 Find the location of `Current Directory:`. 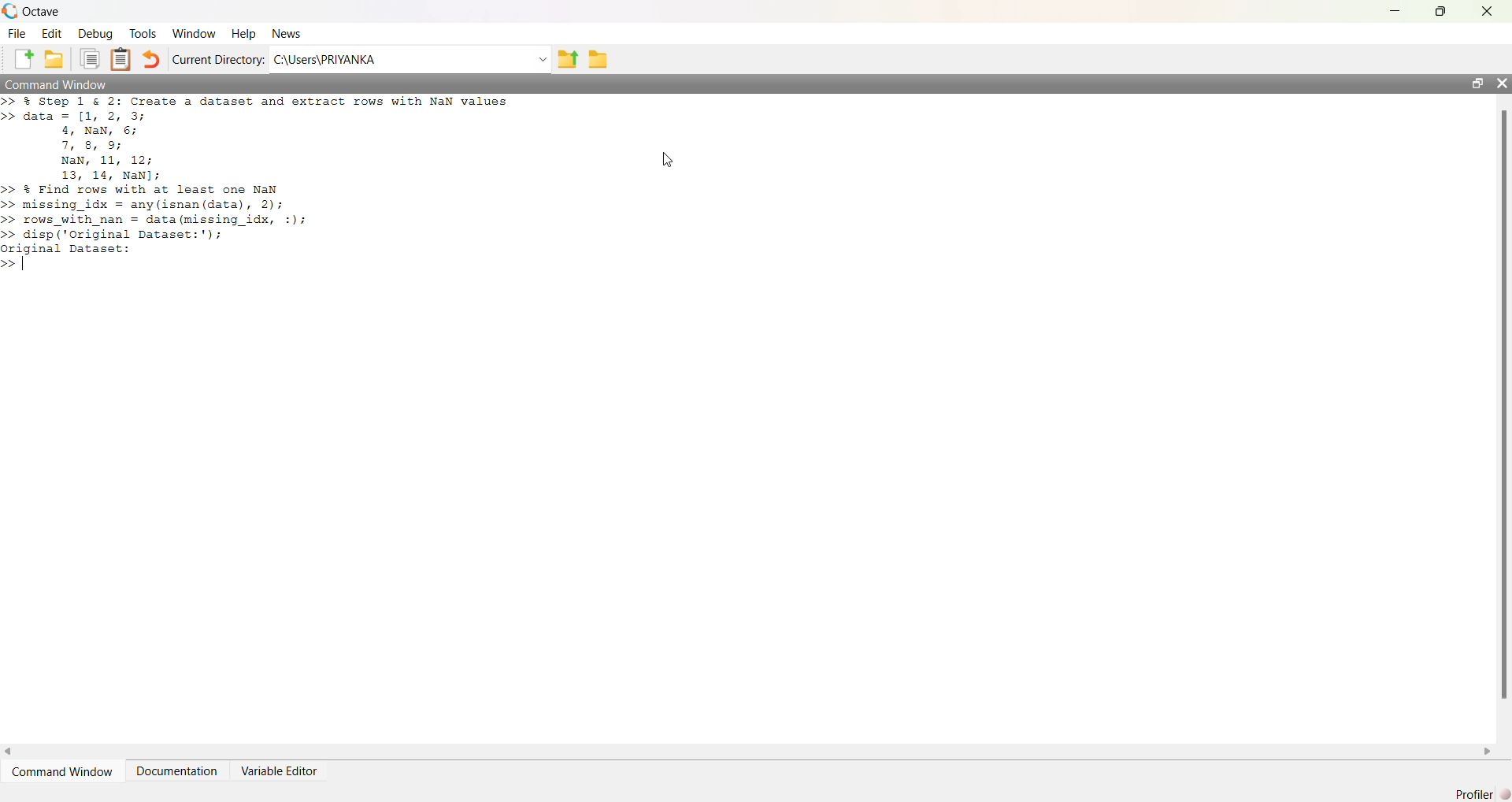

Current Directory: is located at coordinates (219, 59).